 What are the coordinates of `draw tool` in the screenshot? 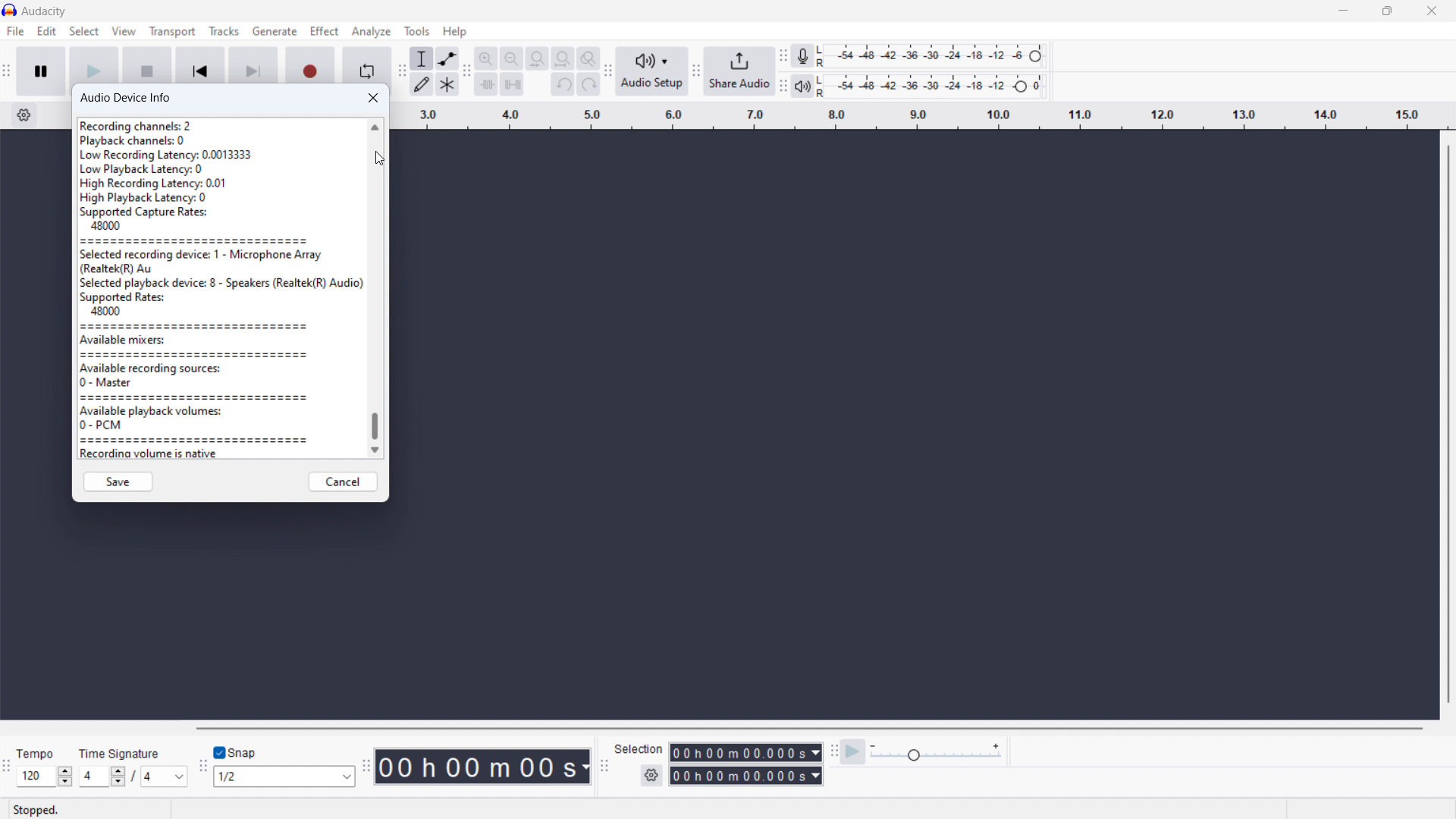 It's located at (422, 84).